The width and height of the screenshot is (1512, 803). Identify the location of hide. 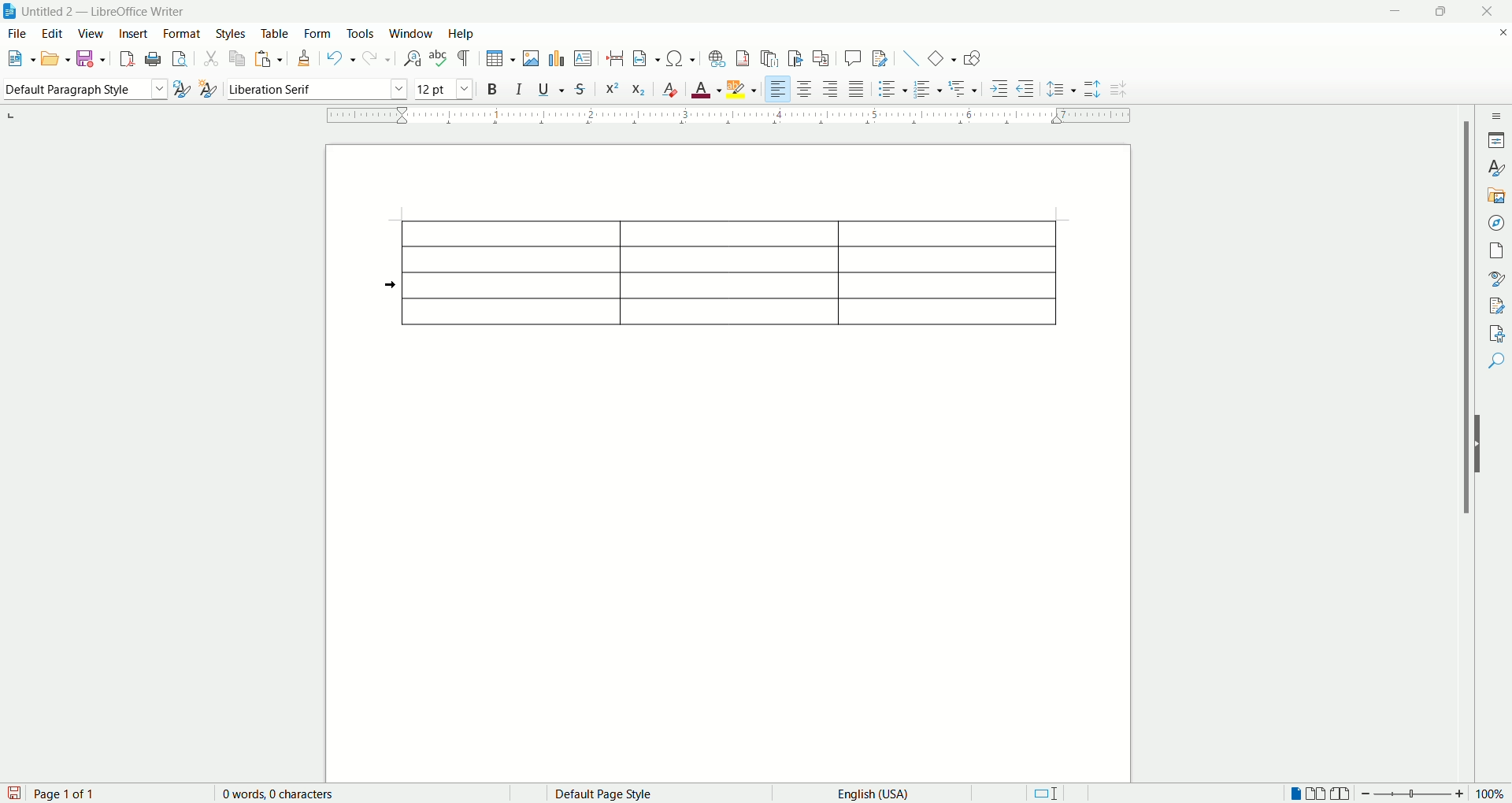
(1482, 446).